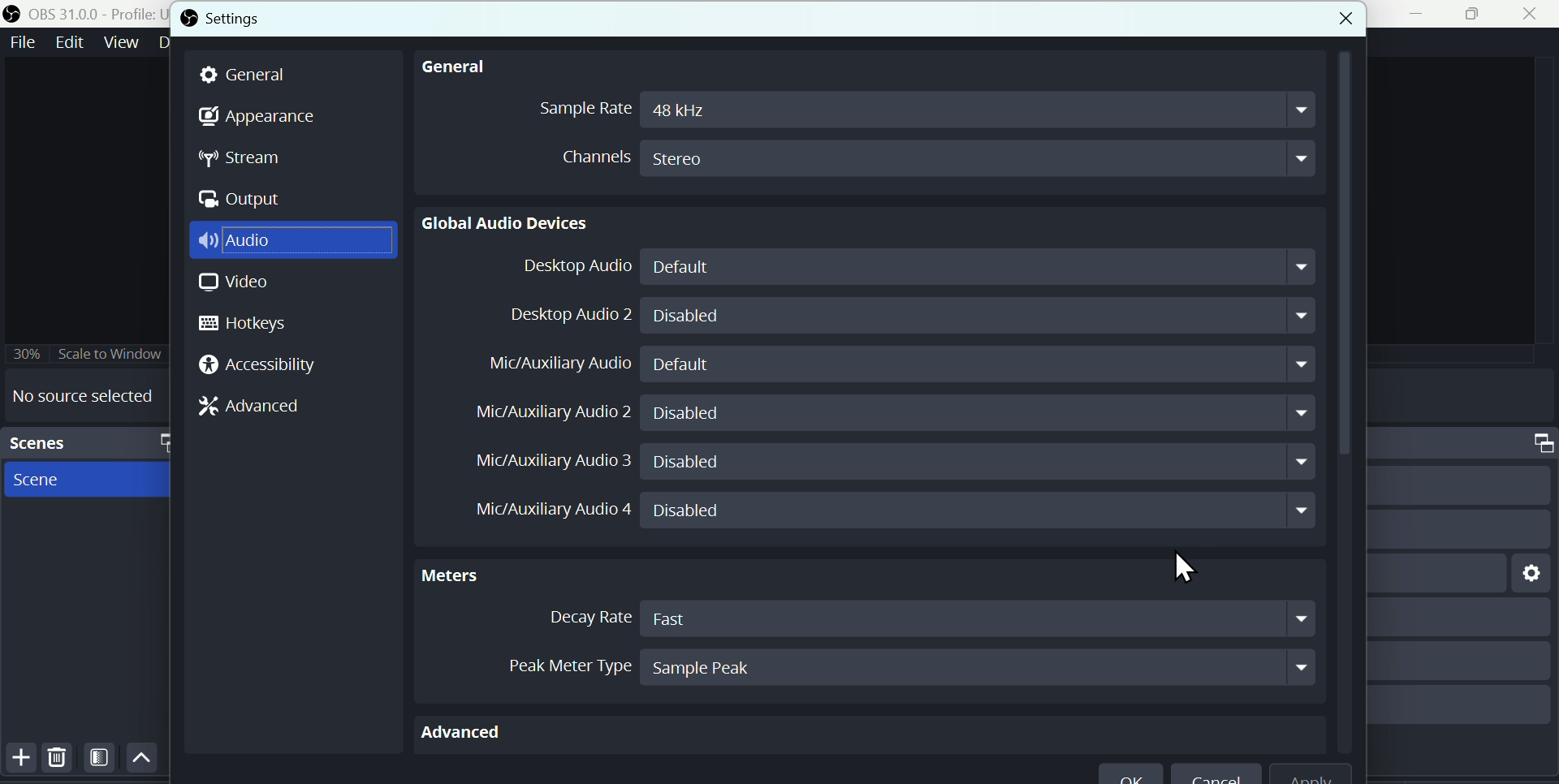 The height and width of the screenshot is (784, 1559). Describe the element at coordinates (83, 395) in the screenshot. I see `No source selected` at that location.